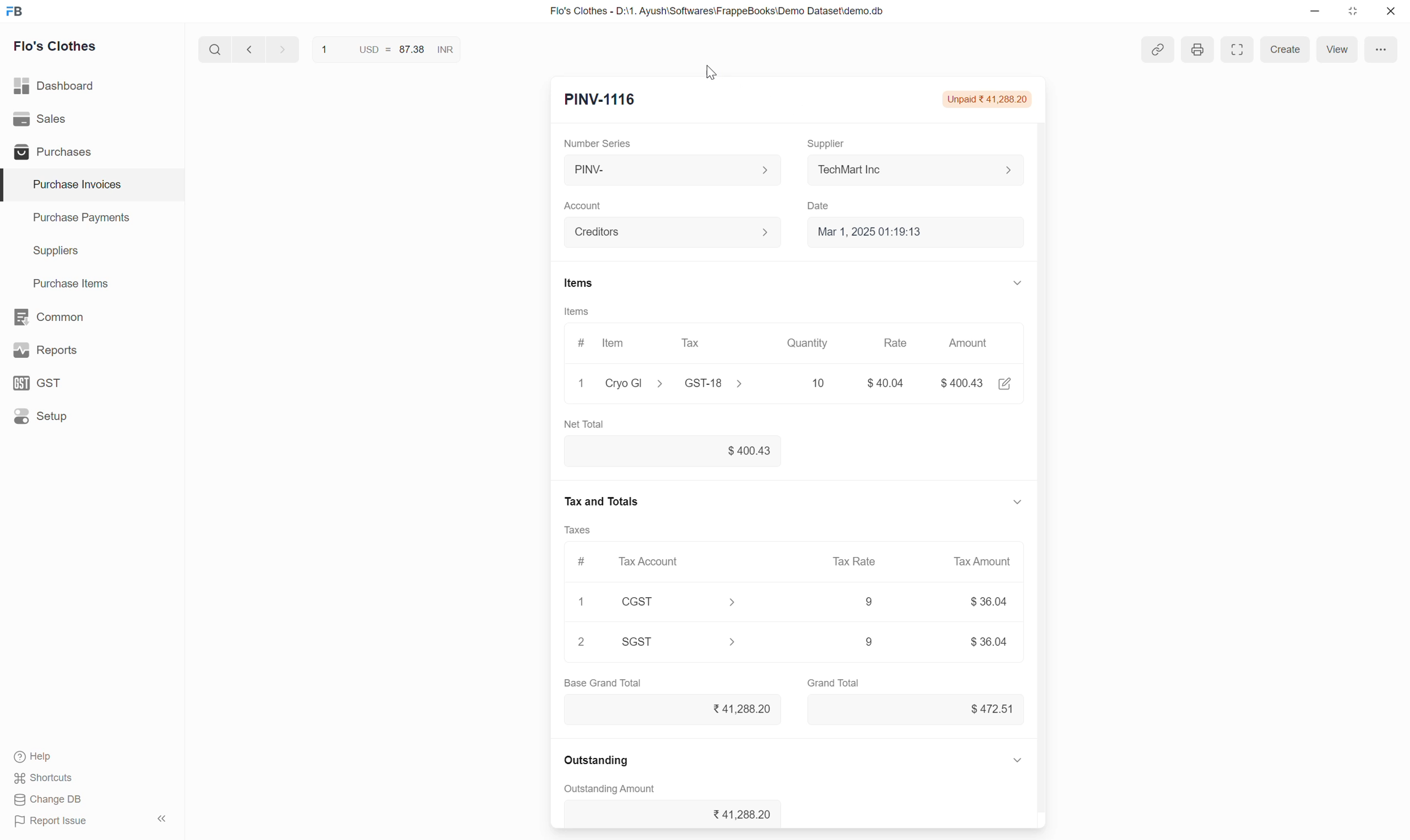 The height and width of the screenshot is (840, 1410). I want to click on Flo's Clothes - D:\1. Ayush\Softwares\FrappeBooks\Demo Dataset\demo.db, so click(716, 11).